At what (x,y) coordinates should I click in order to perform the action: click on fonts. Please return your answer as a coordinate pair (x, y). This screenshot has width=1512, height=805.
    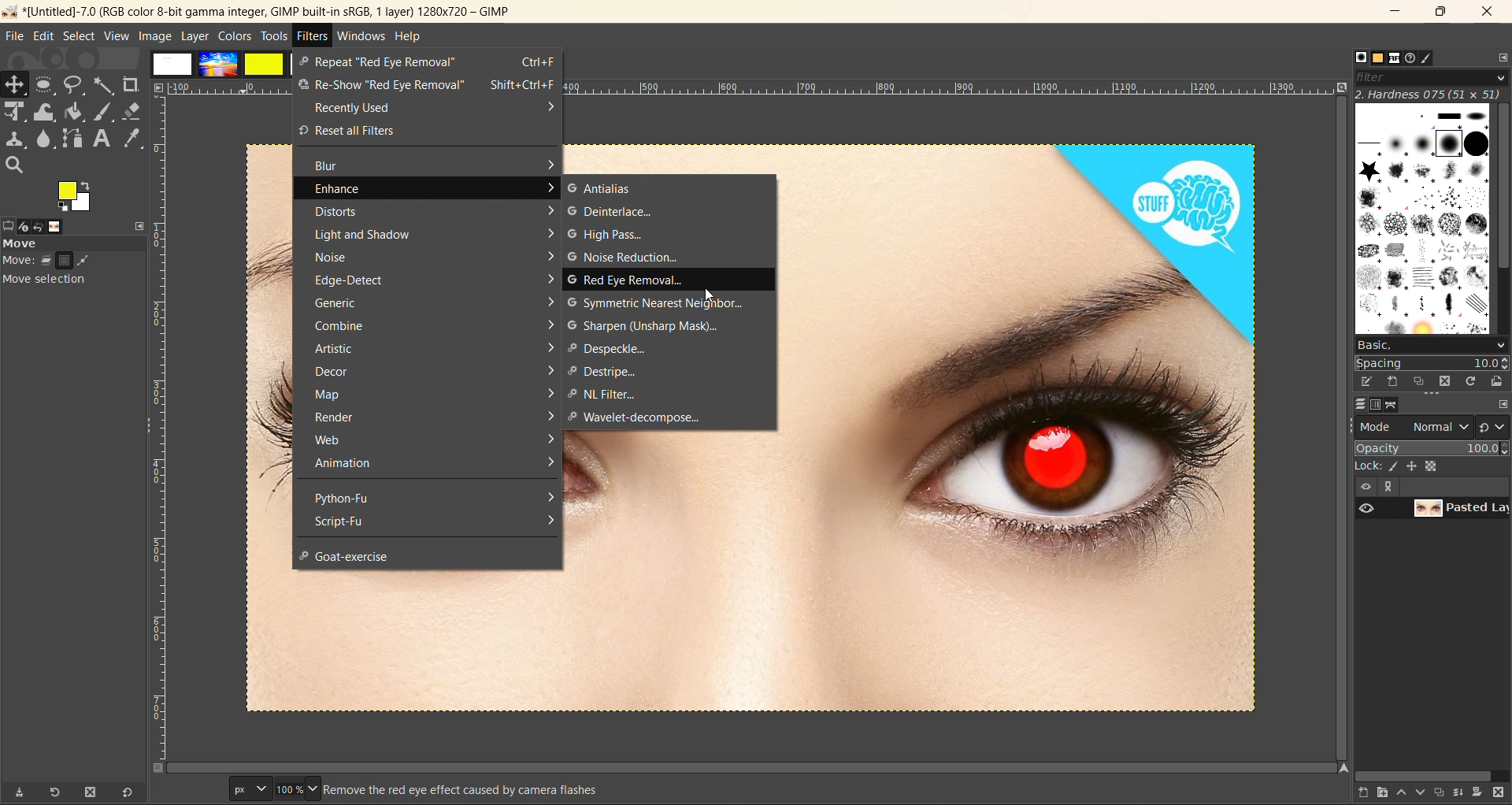
    Looking at the image, I should click on (1392, 58).